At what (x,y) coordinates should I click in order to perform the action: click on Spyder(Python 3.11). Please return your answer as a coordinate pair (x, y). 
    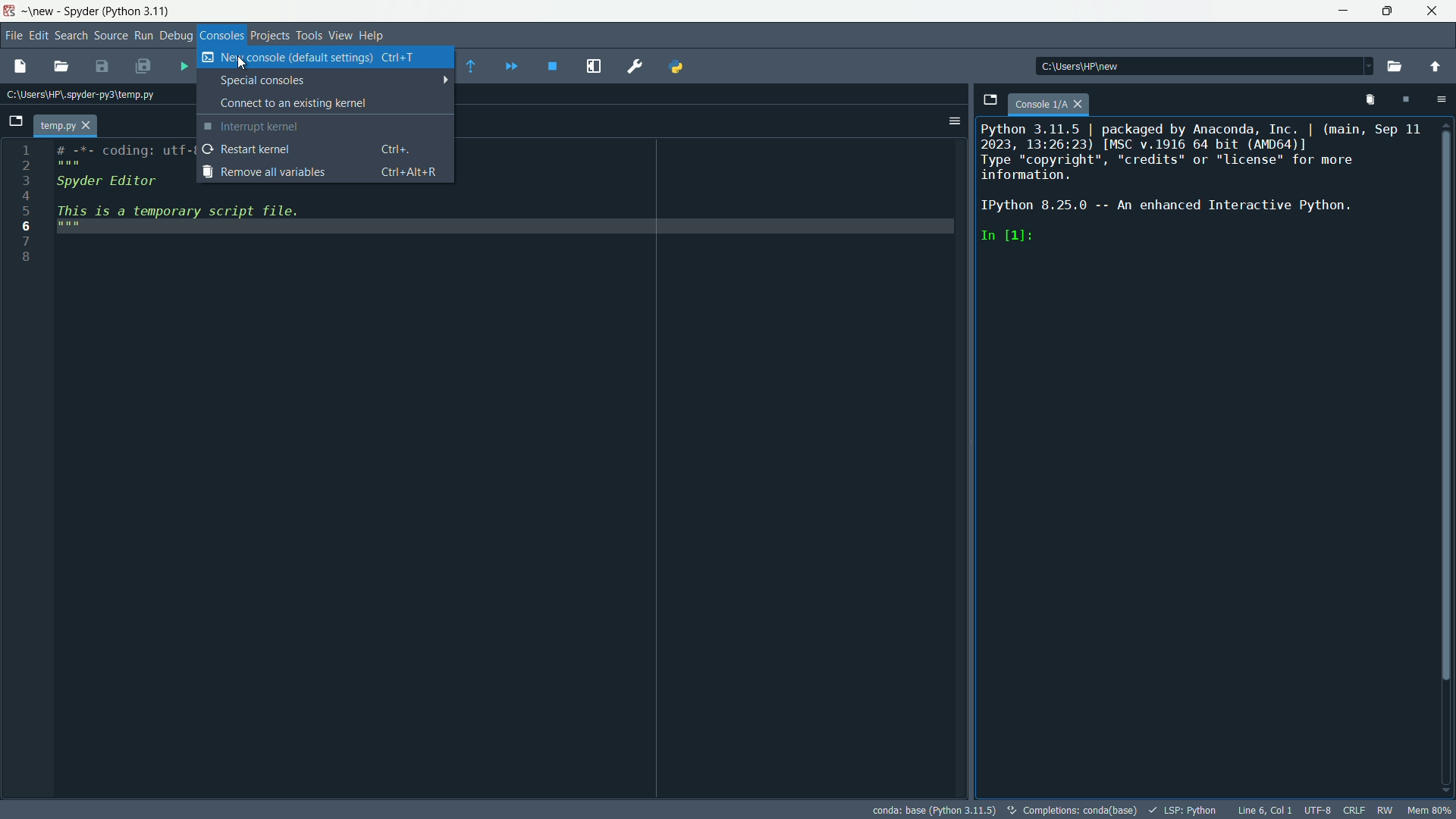
    Looking at the image, I should click on (120, 11).